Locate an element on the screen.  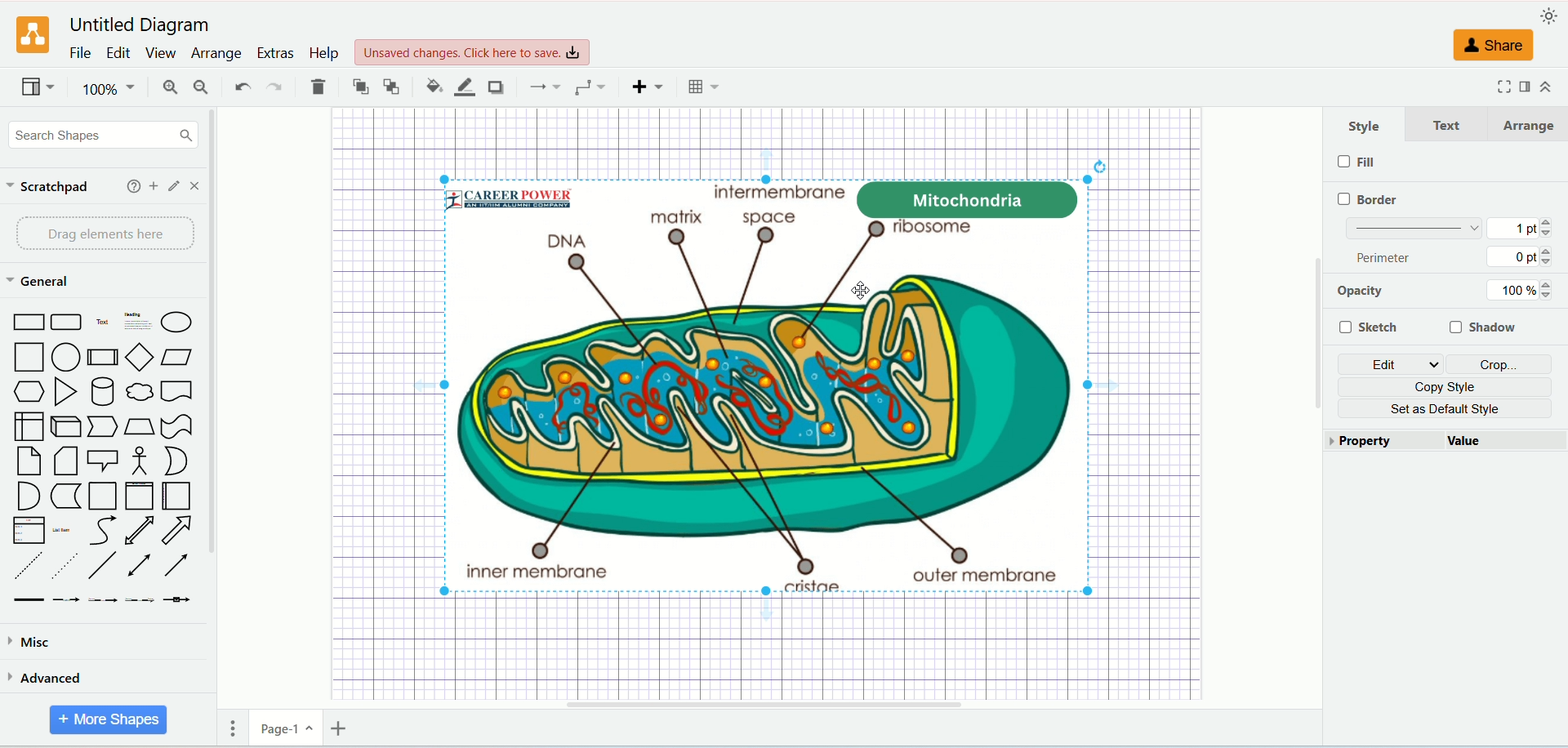
format is located at coordinates (1523, 86).